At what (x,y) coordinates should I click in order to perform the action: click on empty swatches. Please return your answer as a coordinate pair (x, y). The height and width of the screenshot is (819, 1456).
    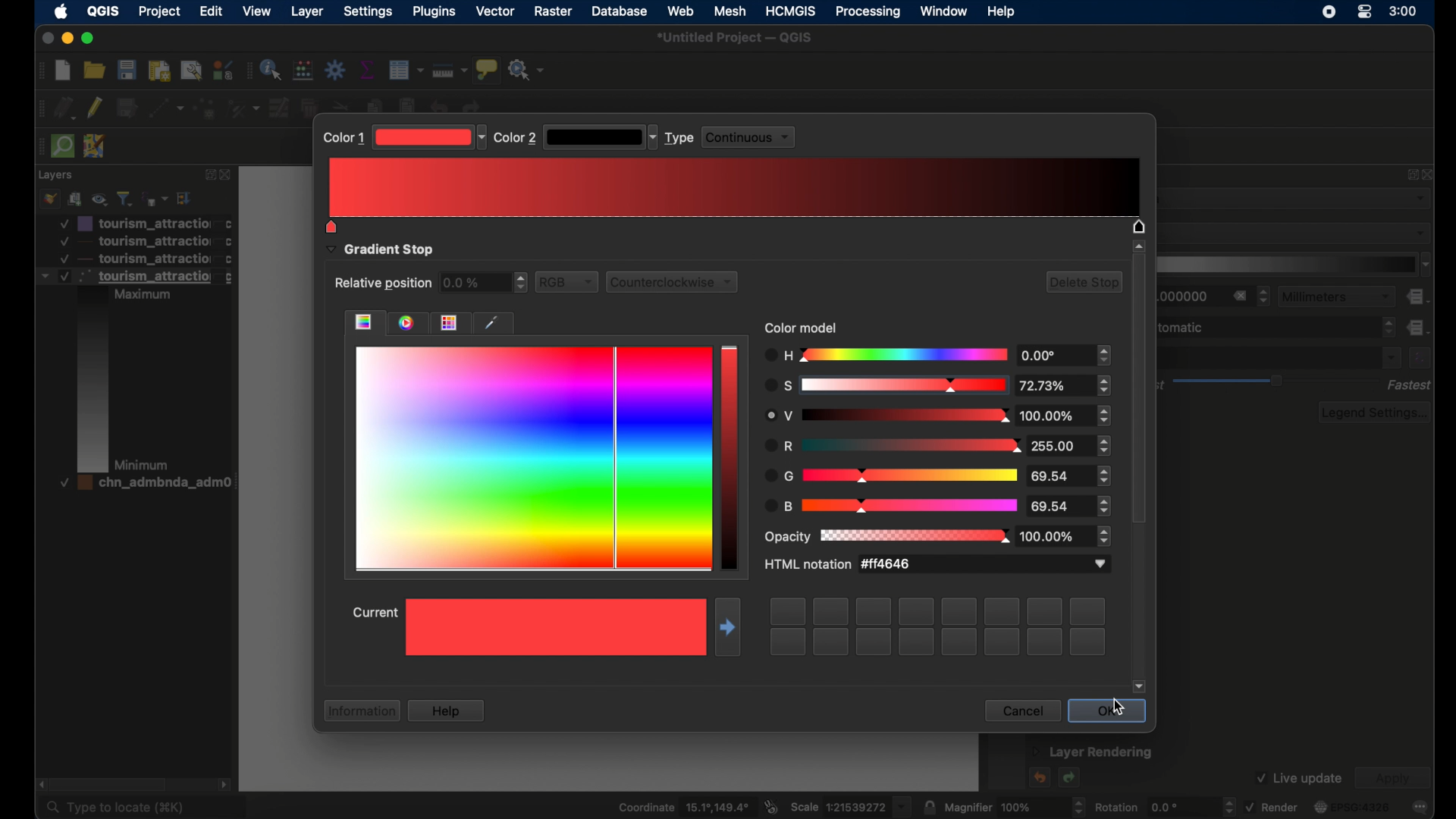
    Looking at the image, I should click on (939, 626).